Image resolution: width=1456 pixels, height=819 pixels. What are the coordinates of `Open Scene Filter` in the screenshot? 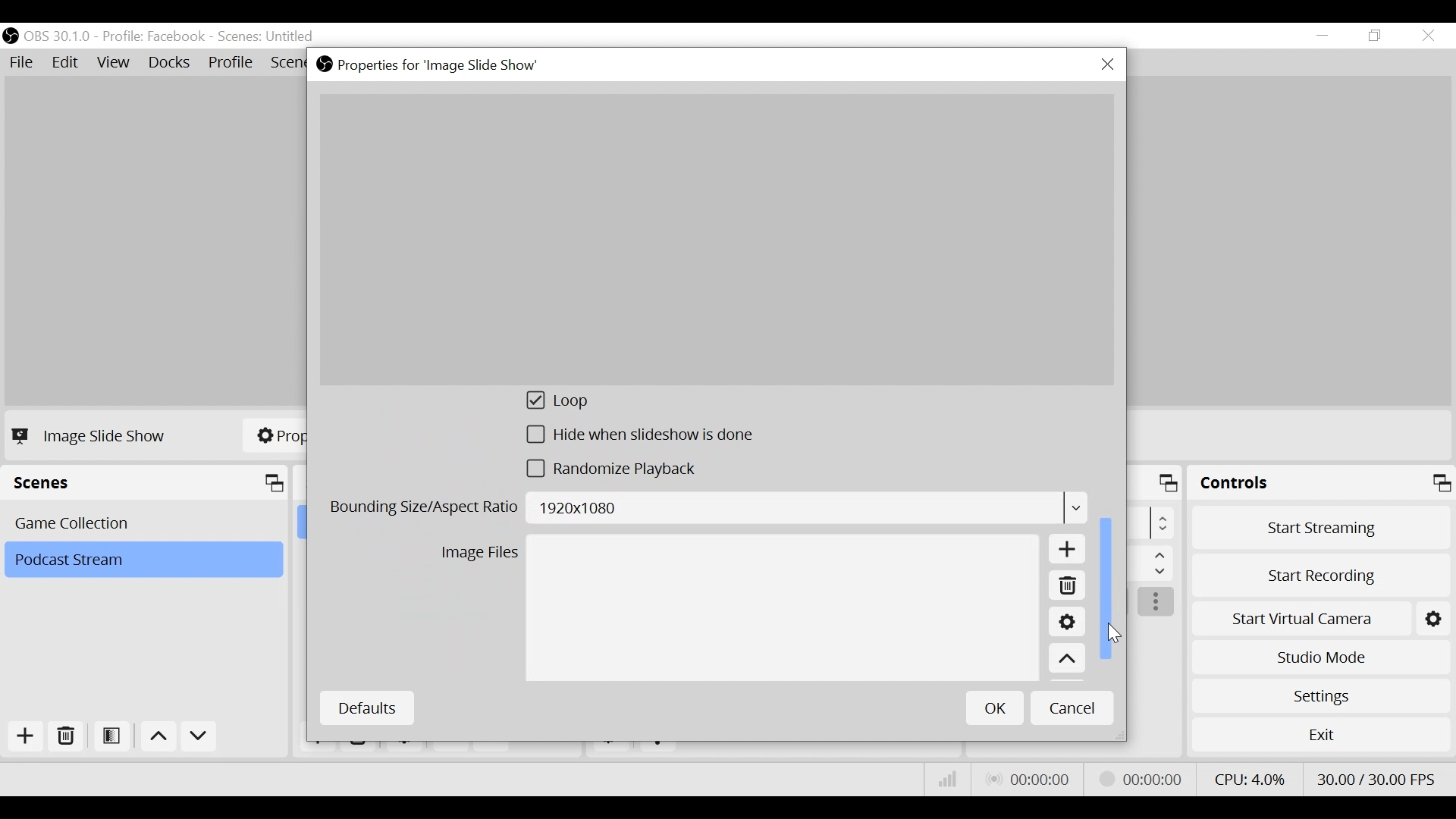 It's located at (115, 737).